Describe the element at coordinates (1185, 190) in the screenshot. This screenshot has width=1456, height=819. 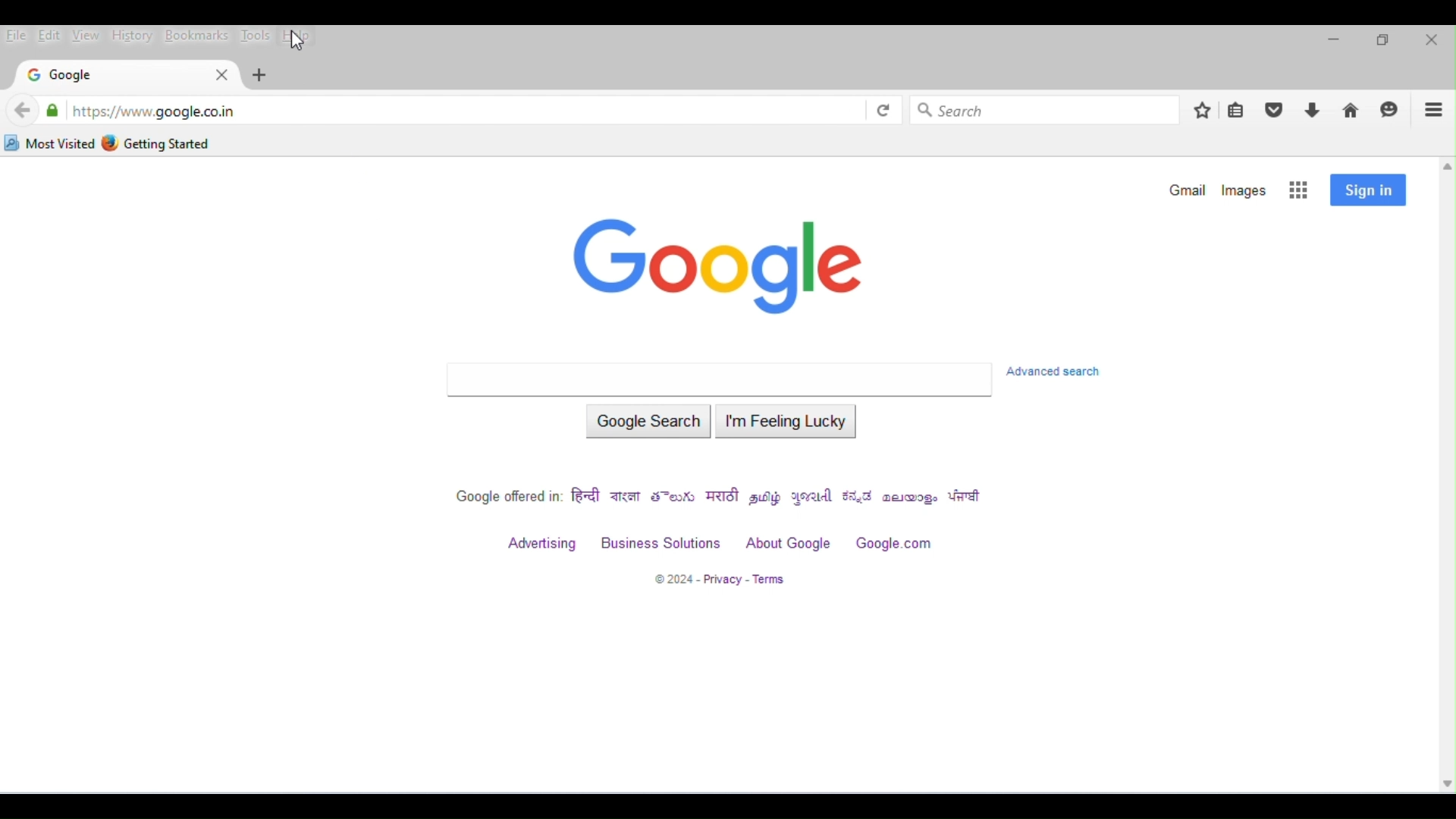
I see `gmail` at that location.